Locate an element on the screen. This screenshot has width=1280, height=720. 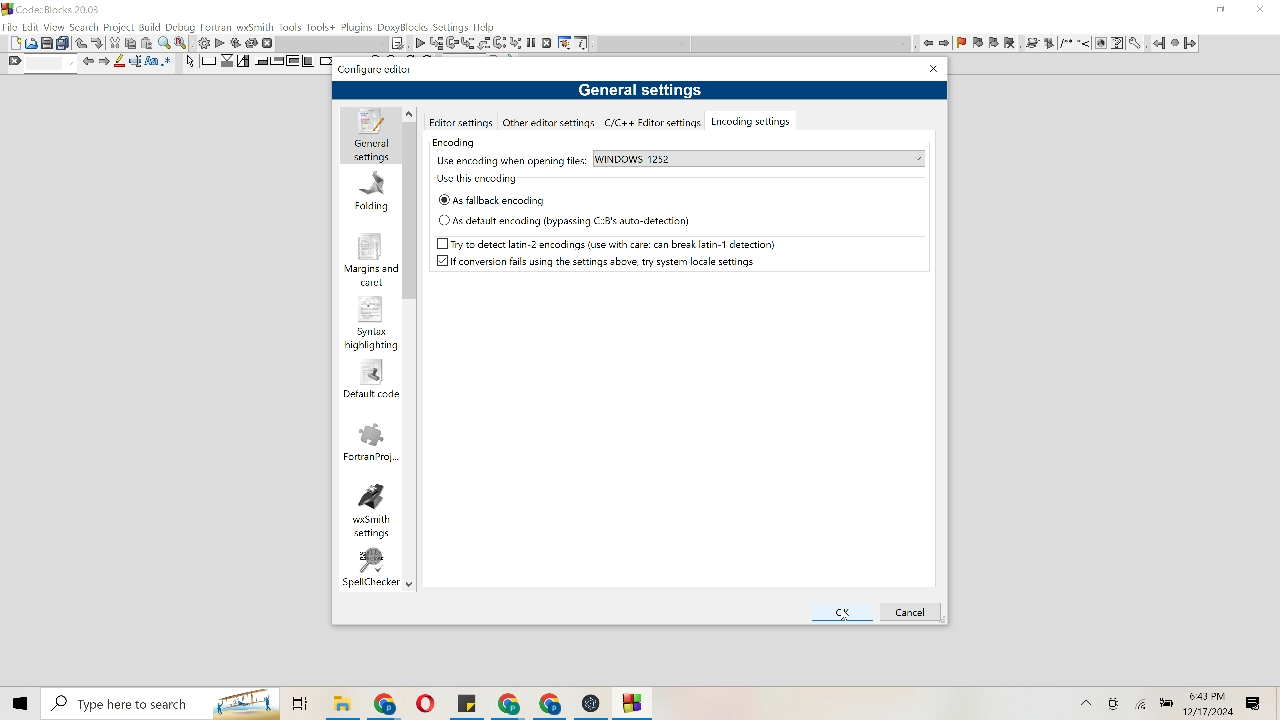
Move to corners is located at coordinates (260, 61).